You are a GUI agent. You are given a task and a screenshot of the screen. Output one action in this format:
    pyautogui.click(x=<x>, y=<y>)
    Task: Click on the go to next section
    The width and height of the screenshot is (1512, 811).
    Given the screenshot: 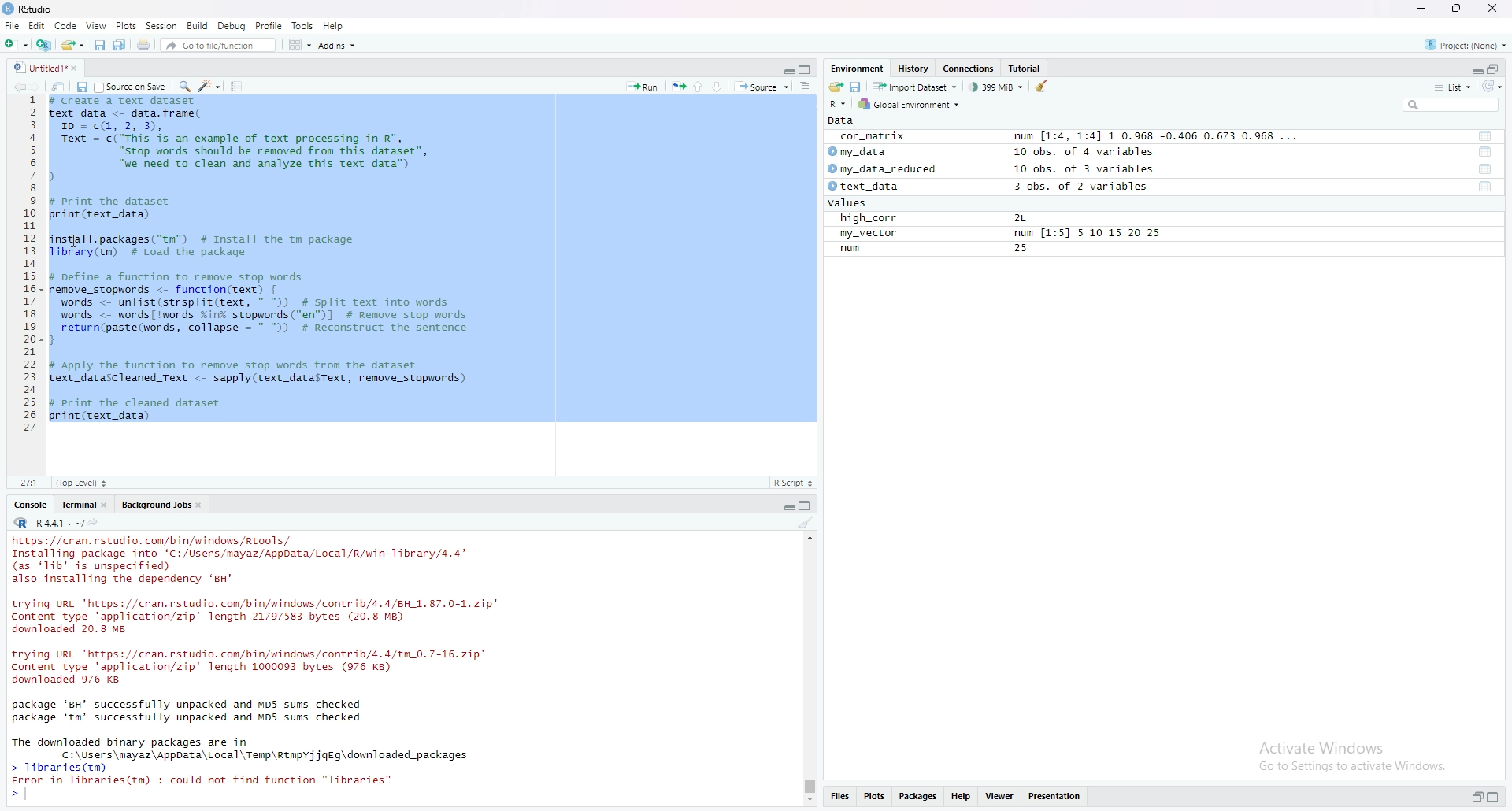 What is the action you would take?
    pyautogui.click(x=721, y=85)
    